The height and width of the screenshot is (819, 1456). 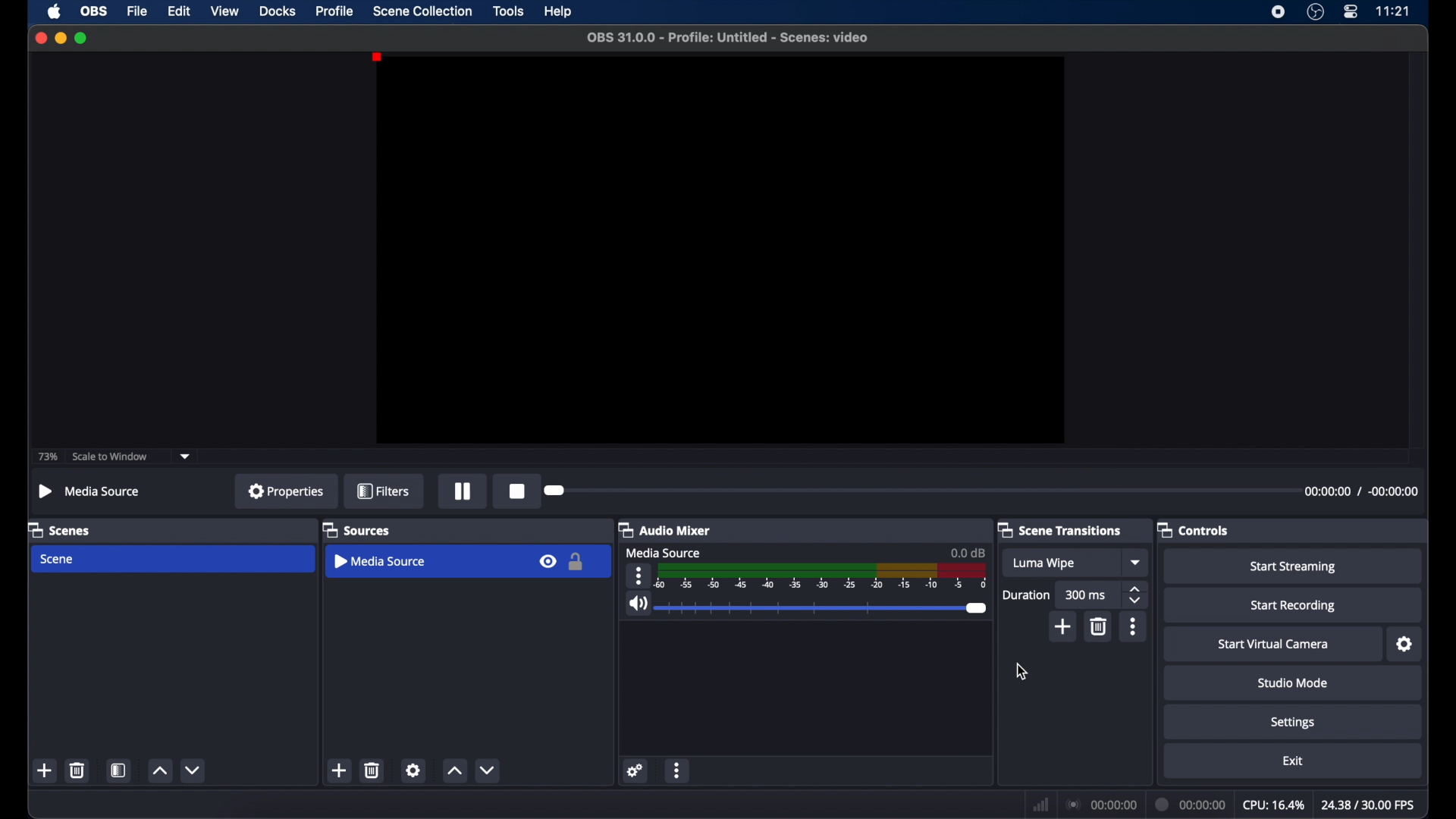 What do you see at coordinates (373, 770) in the screenshot?
I see `delete` at bounding box center [373, 770].